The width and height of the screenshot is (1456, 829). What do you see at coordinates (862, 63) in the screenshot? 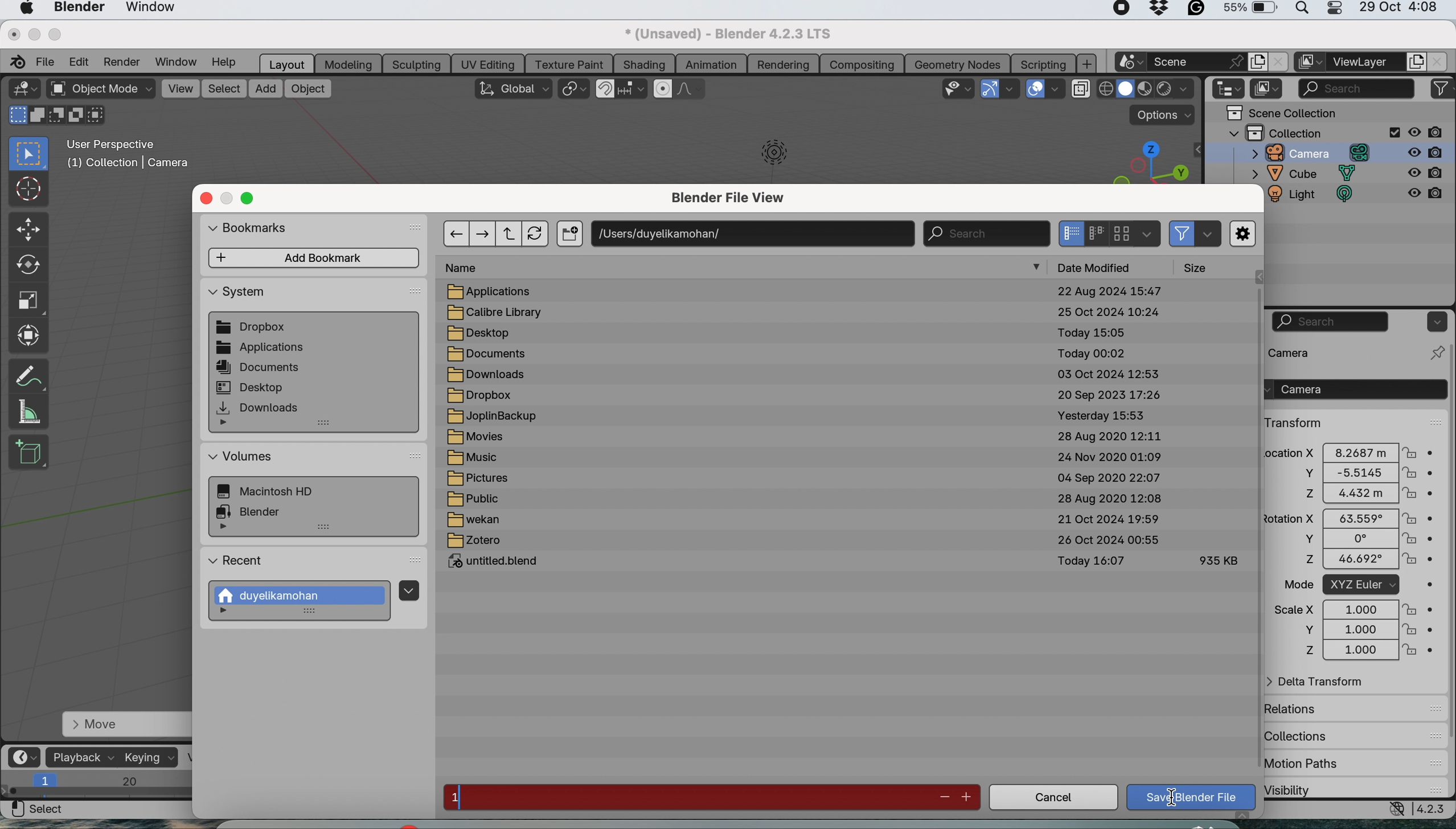
I see `compositing` at bounding box center [862, 63].